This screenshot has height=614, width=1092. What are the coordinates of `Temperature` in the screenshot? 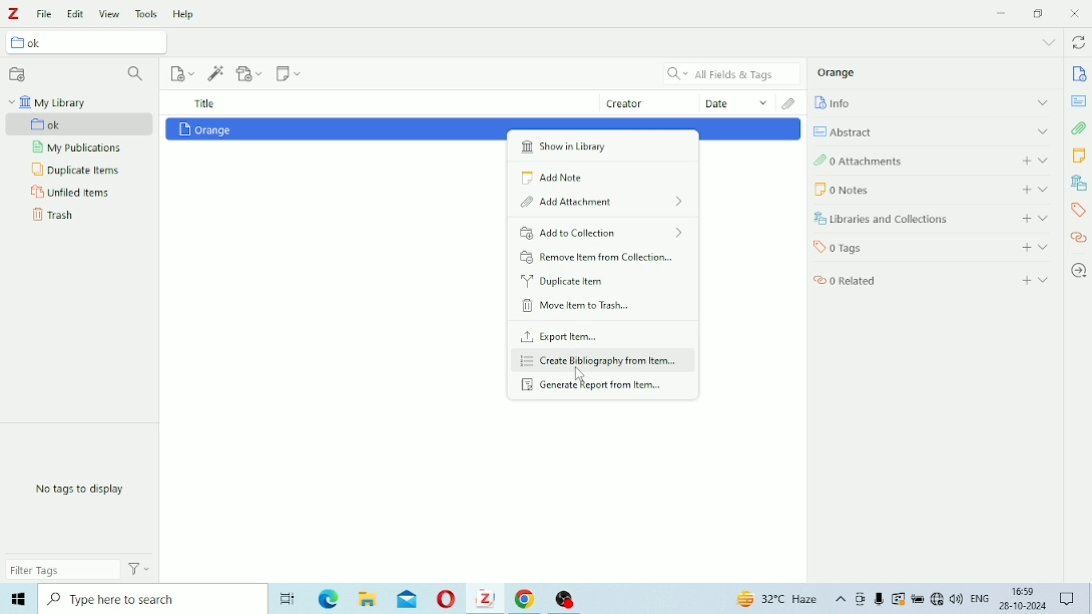 It's located at (779, 600).